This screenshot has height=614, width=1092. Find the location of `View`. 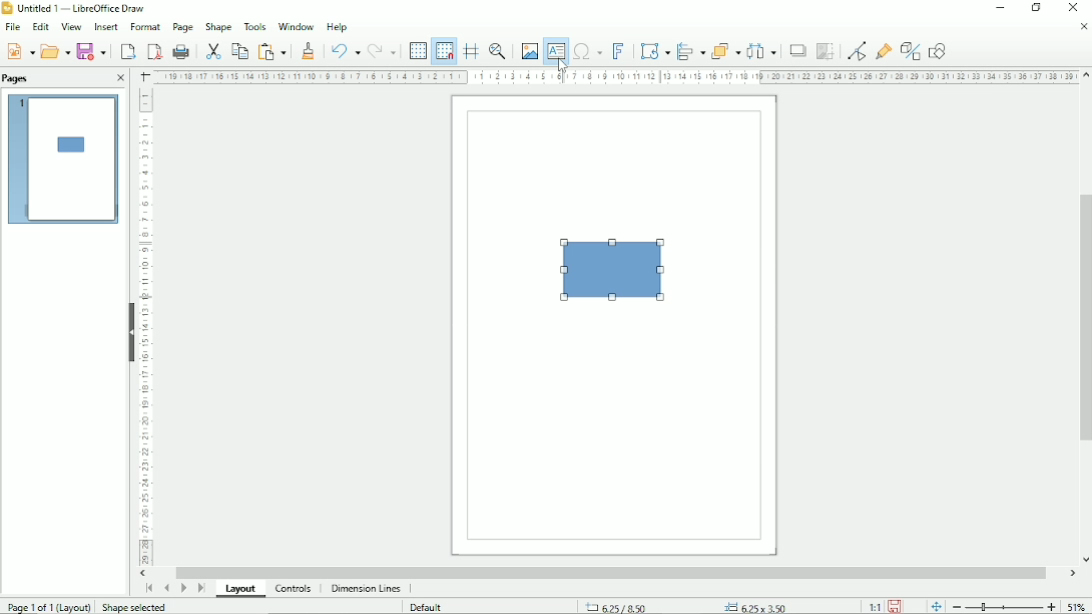

View is located at coordinates (70, 25).